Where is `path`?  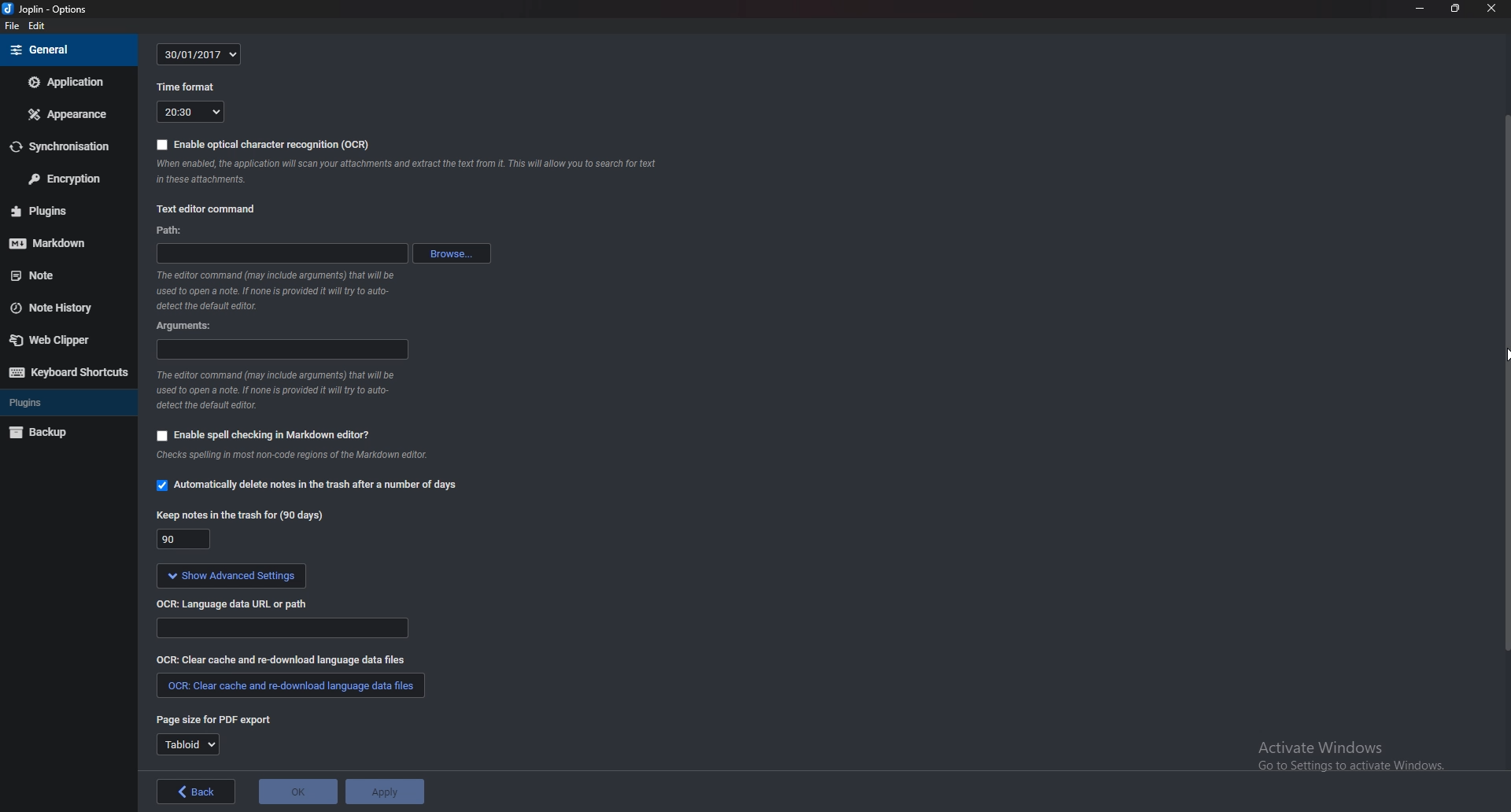
path is located at coordinates (289, 630).